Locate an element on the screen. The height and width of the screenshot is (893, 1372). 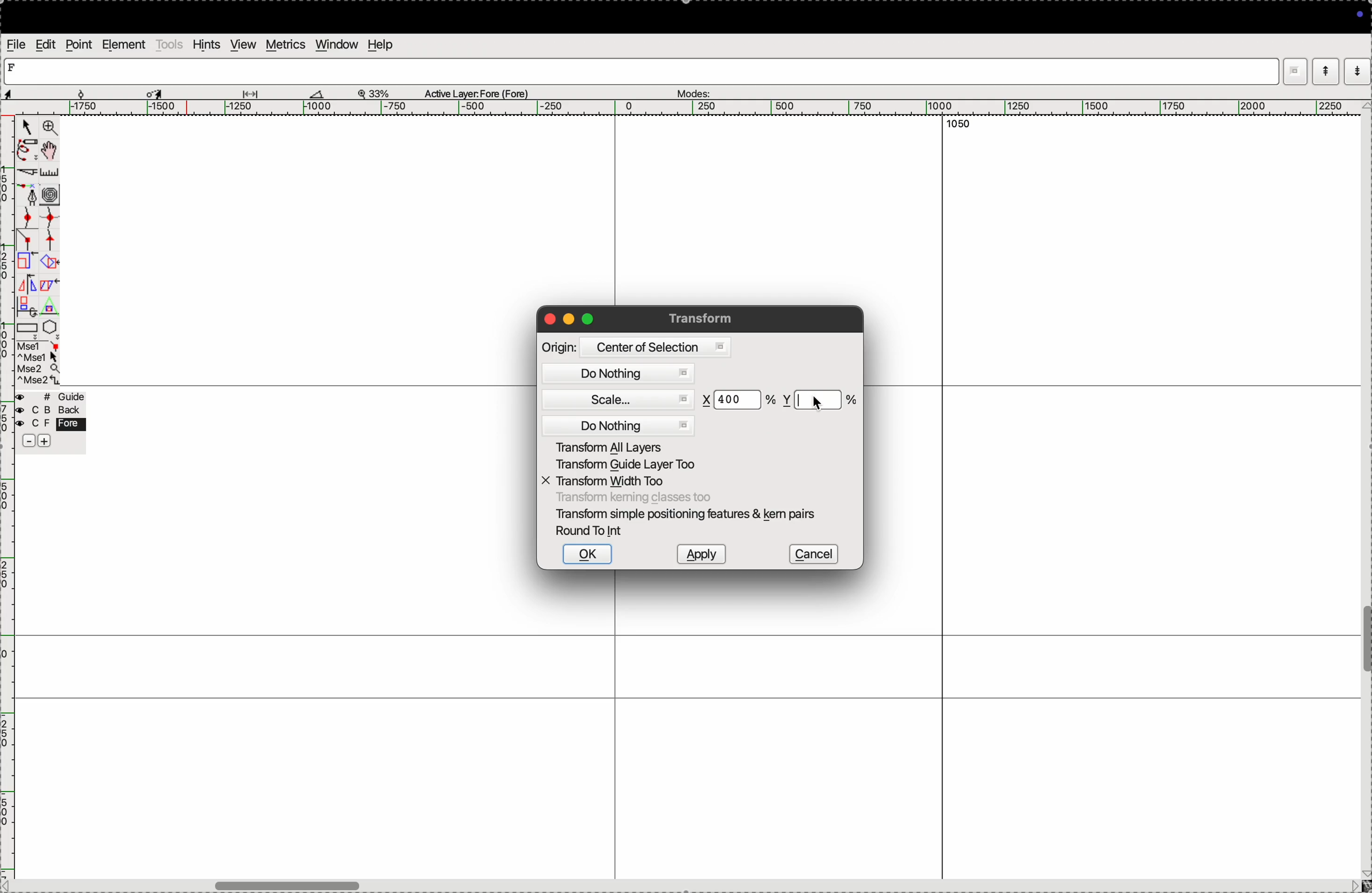
ruler is located at coordinates (56, 173).